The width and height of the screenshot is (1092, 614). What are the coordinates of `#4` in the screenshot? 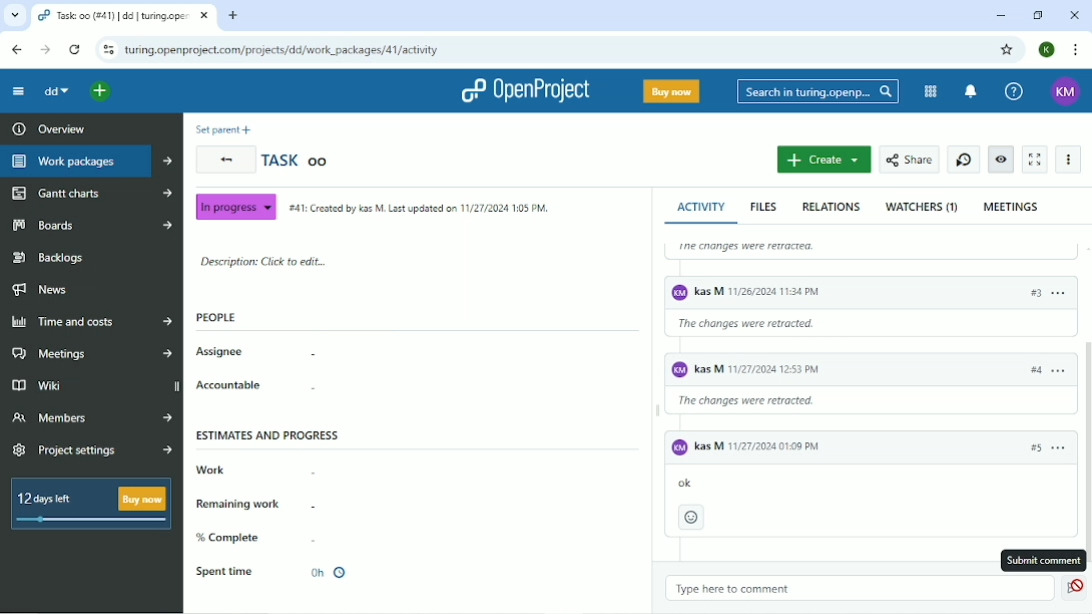 It's located at (1036, 375).